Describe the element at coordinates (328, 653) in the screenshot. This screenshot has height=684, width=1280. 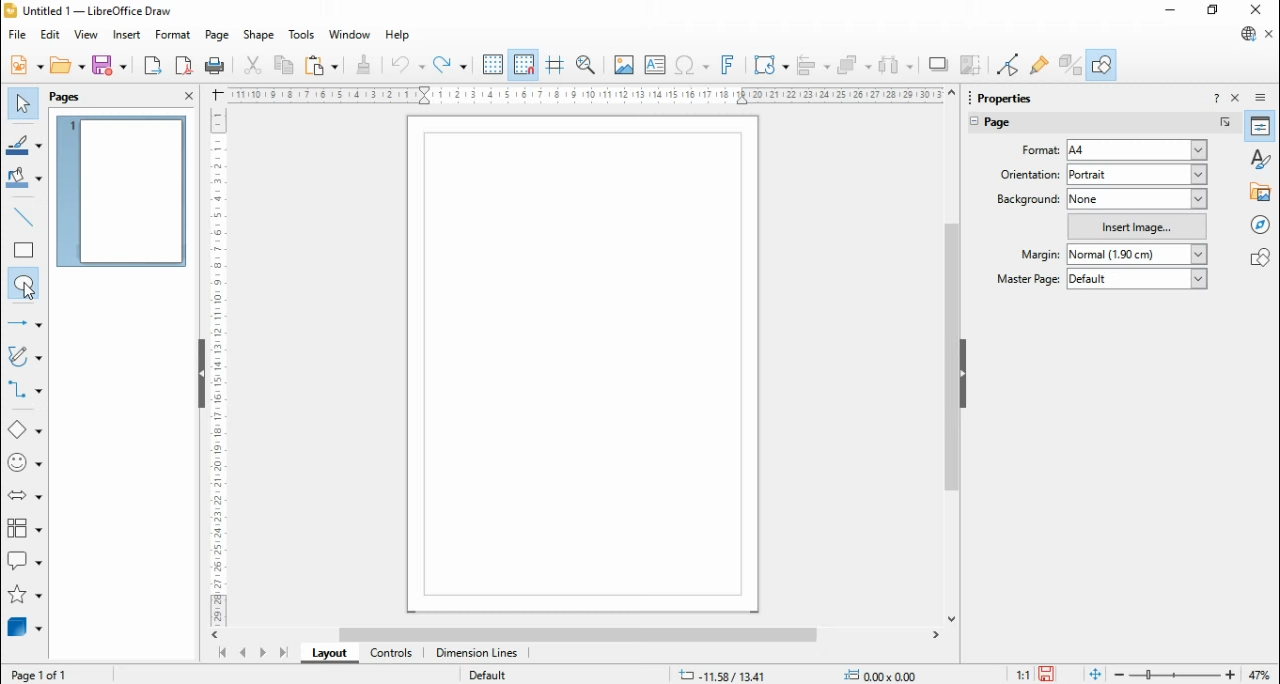
I see `layout` at that location.